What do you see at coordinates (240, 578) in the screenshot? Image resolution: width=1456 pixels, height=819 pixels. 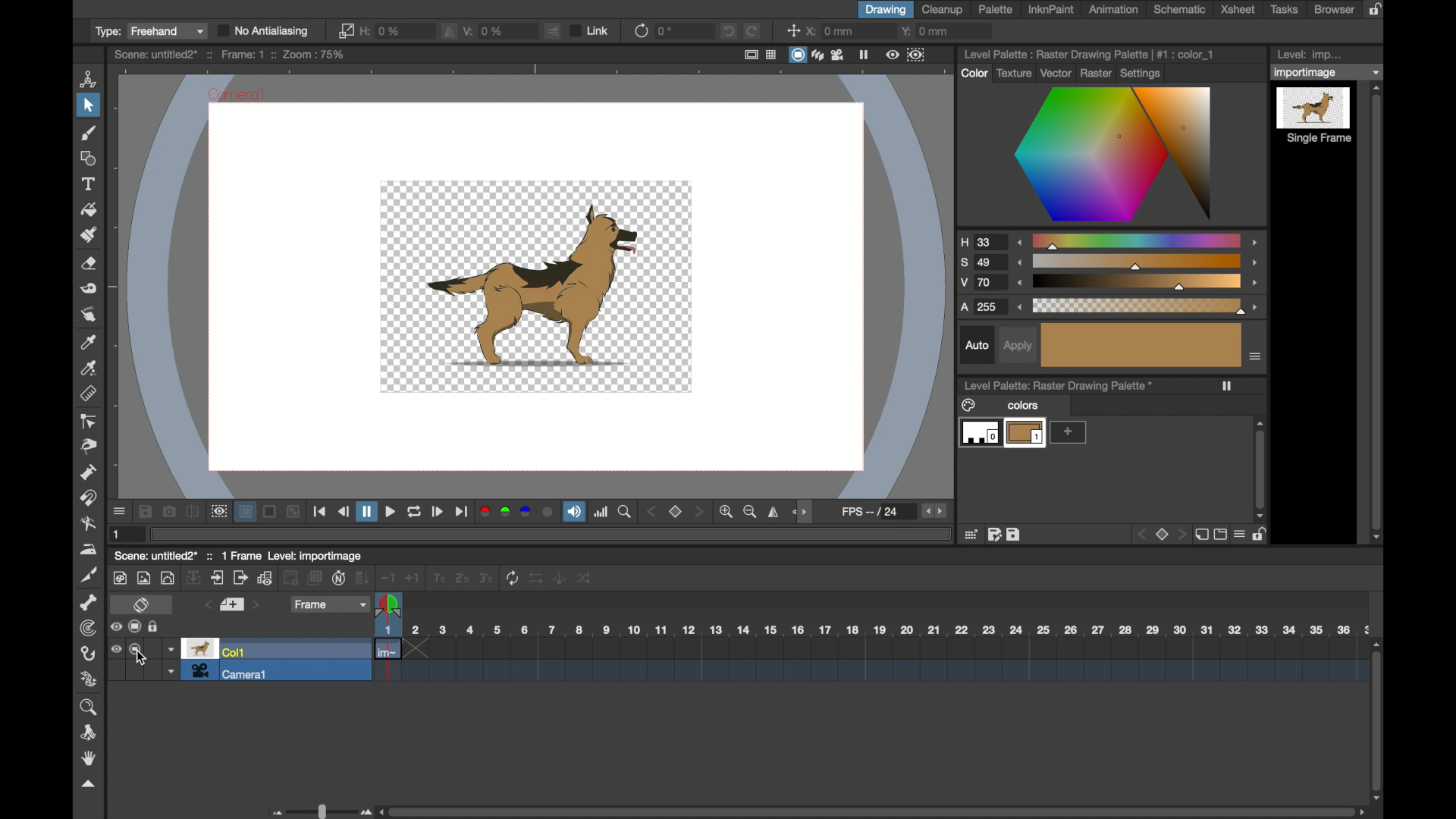 I see `forward` at bounding box center [240, 578].